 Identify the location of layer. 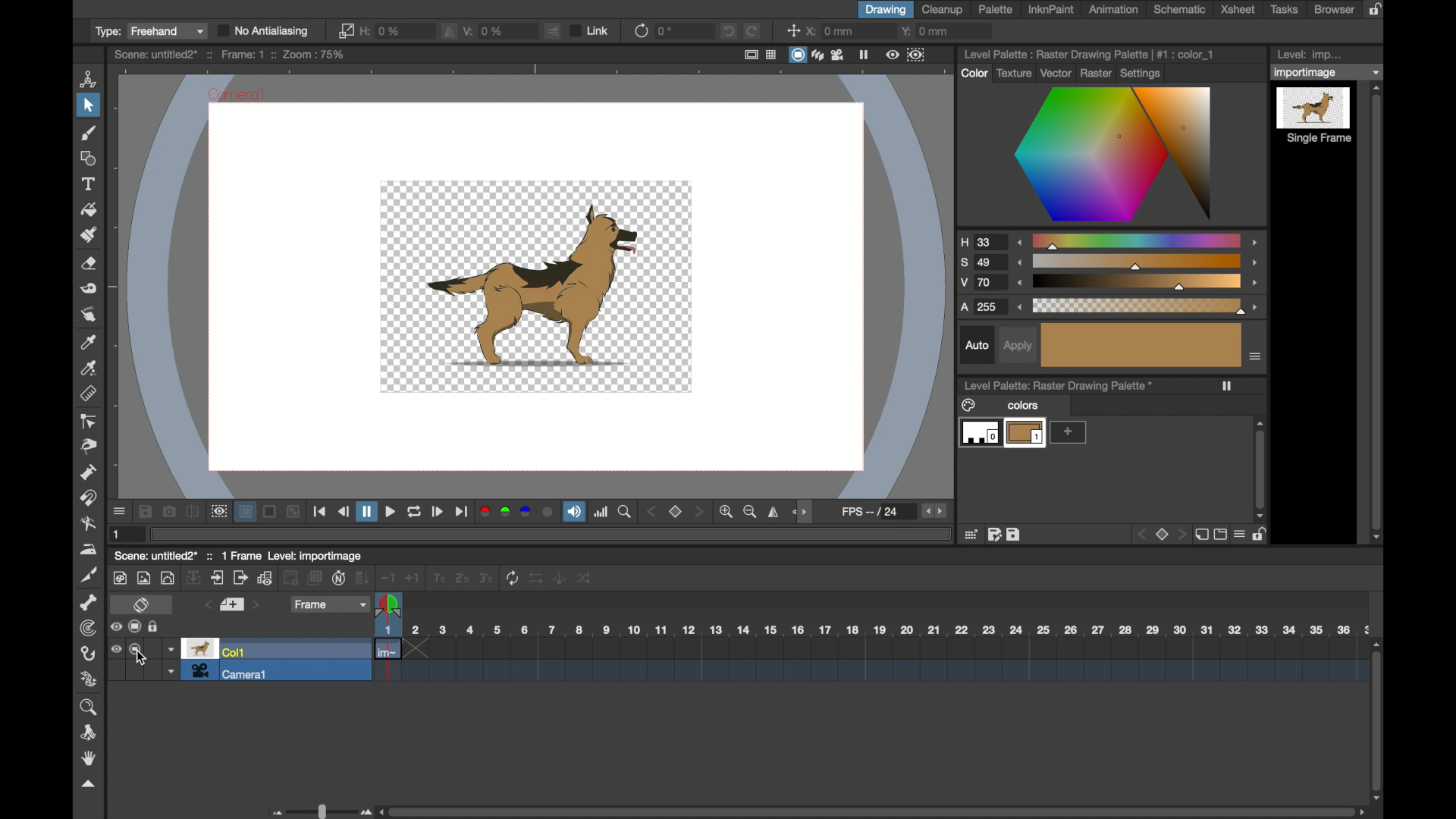
(246, 512).